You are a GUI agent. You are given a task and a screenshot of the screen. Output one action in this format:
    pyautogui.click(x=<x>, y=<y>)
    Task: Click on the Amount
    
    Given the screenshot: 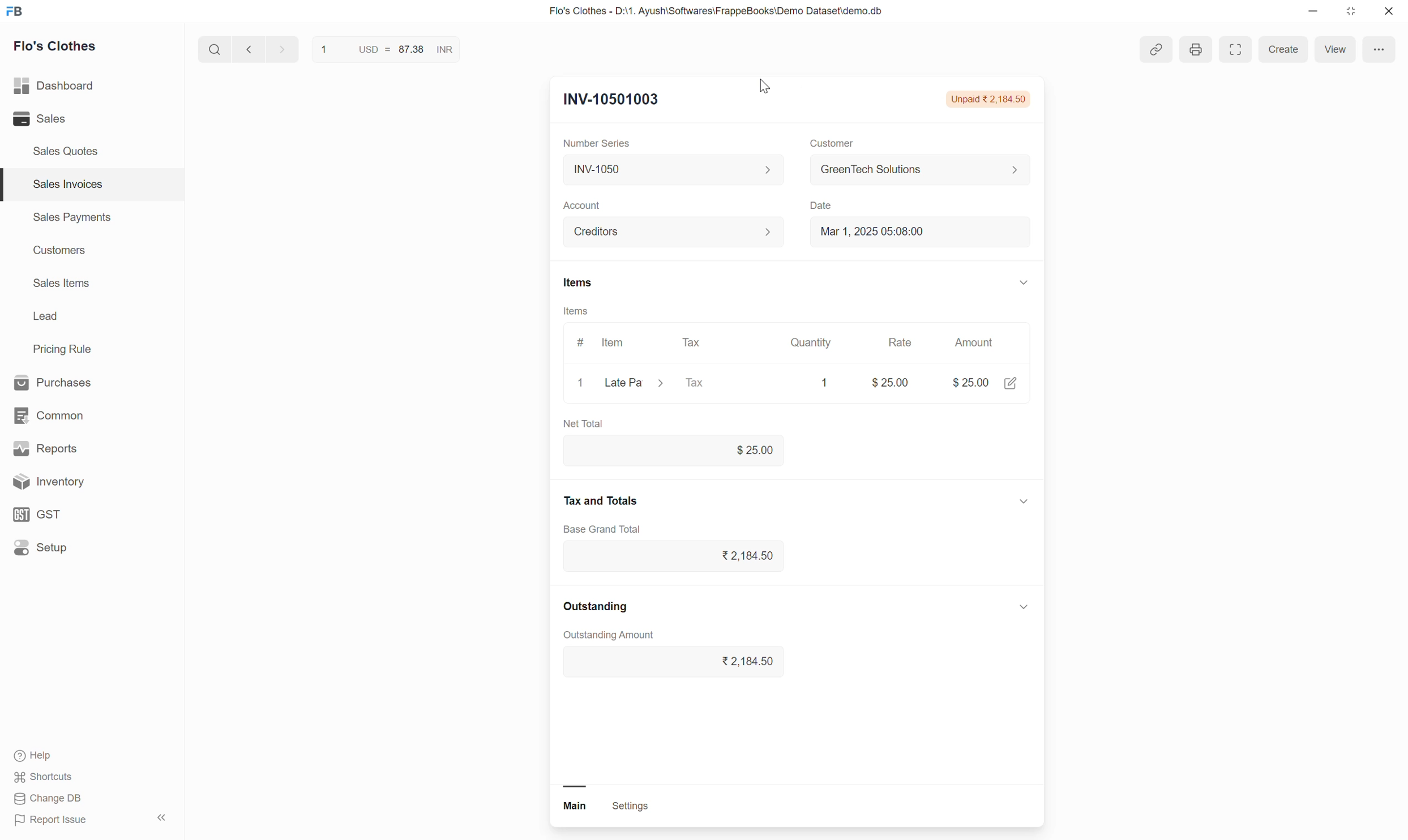 What is the action you would take?
    pyautogui.click(x=976, y=344)
    